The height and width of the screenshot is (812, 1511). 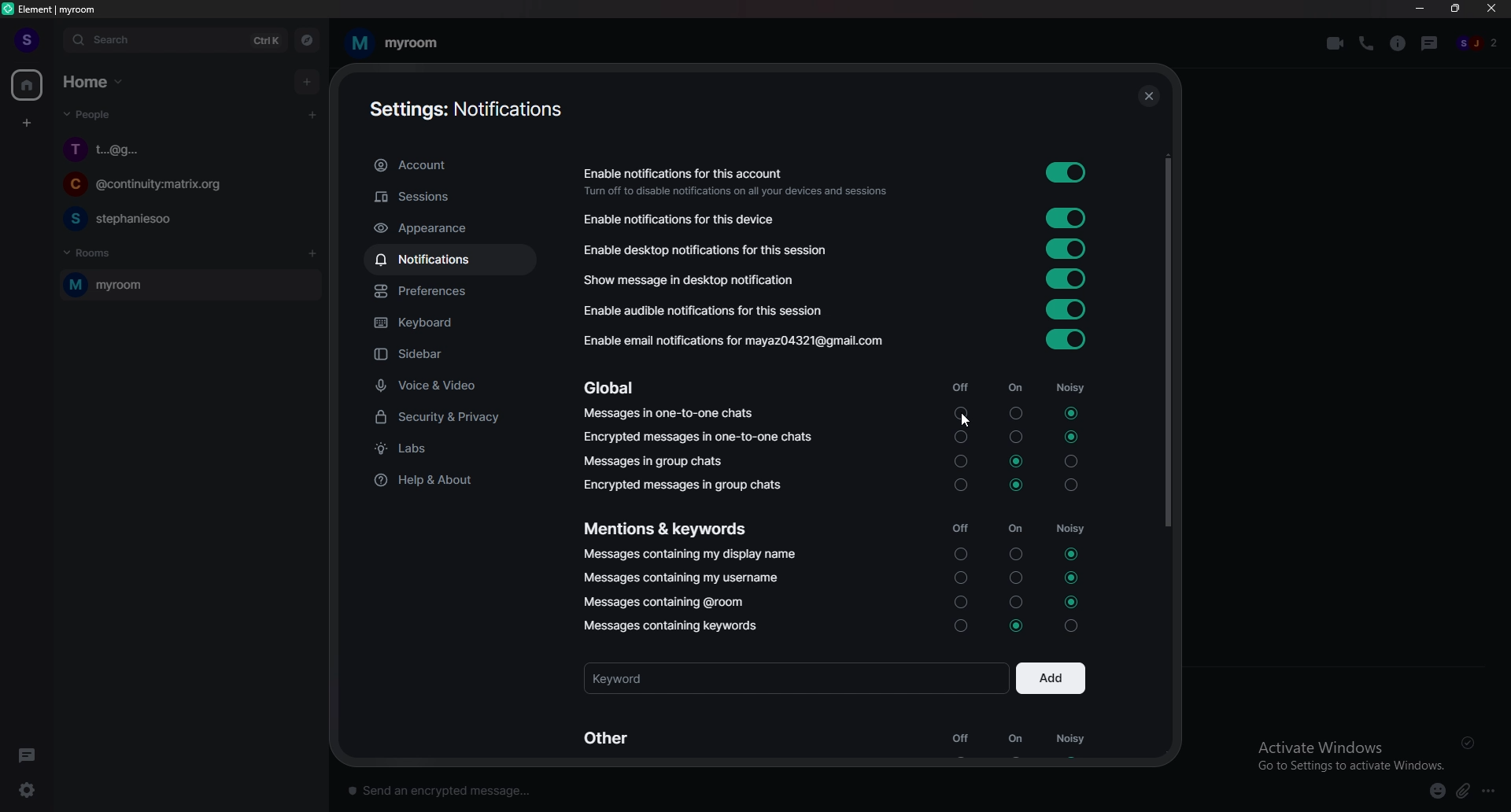 What do you see at coordinates (707, 312) in the screenshot?
I see `Enable audible notifications for this session` at bounding box center [707, 312].